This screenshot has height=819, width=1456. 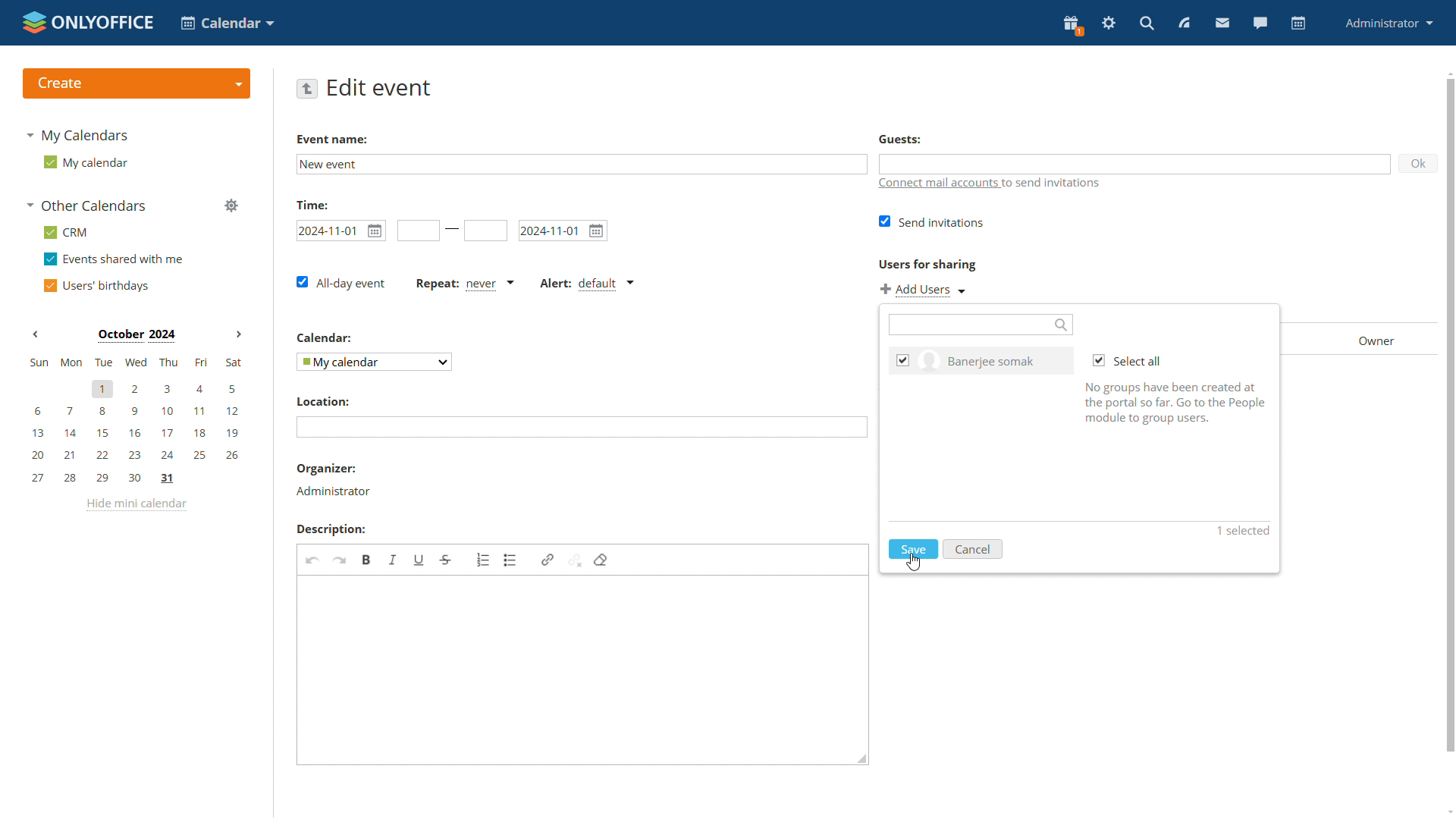 I want to click on link, so click(x=548, y=560).